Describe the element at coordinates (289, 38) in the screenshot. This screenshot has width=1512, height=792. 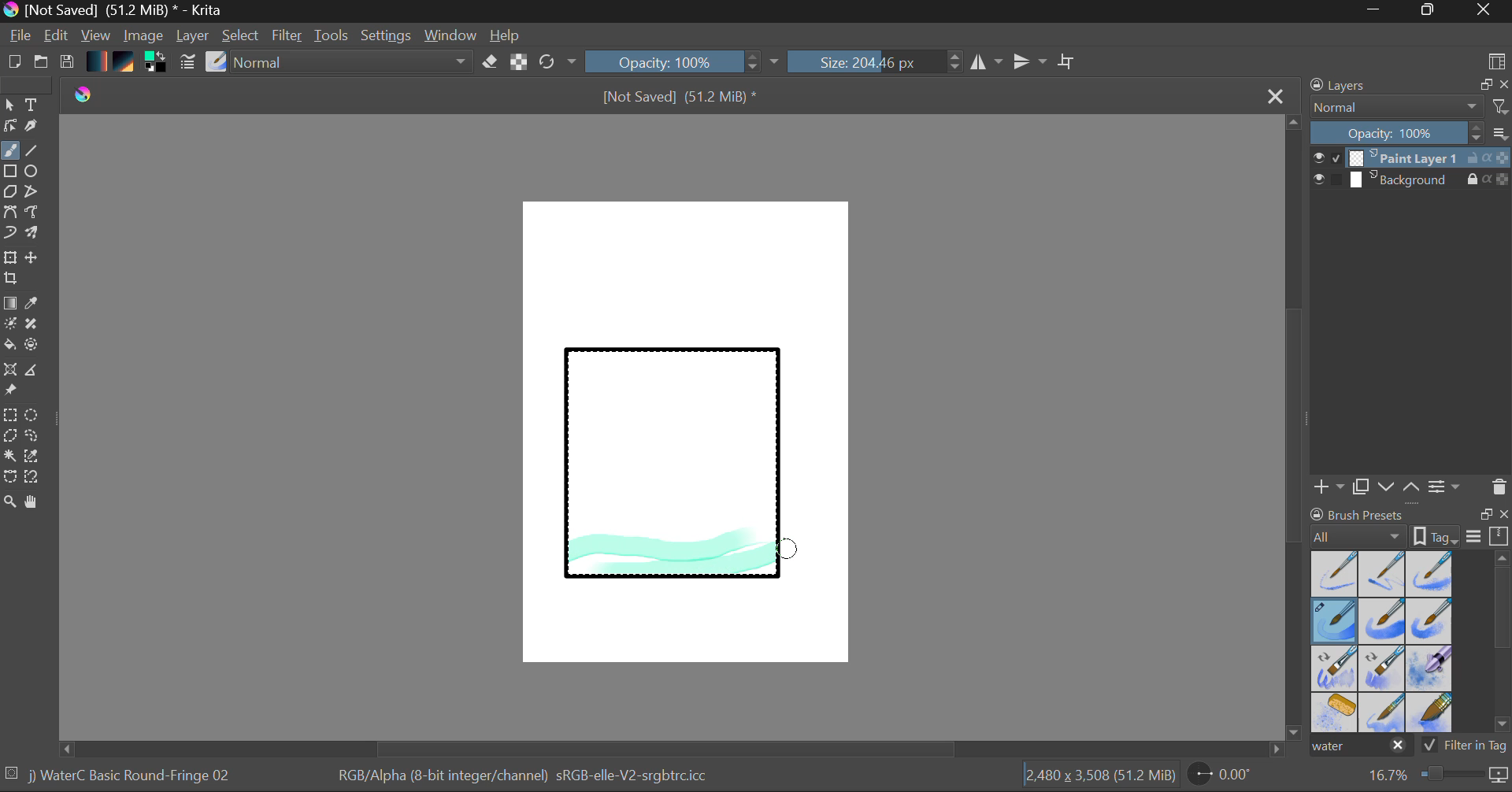
I see `Filter` at that location.